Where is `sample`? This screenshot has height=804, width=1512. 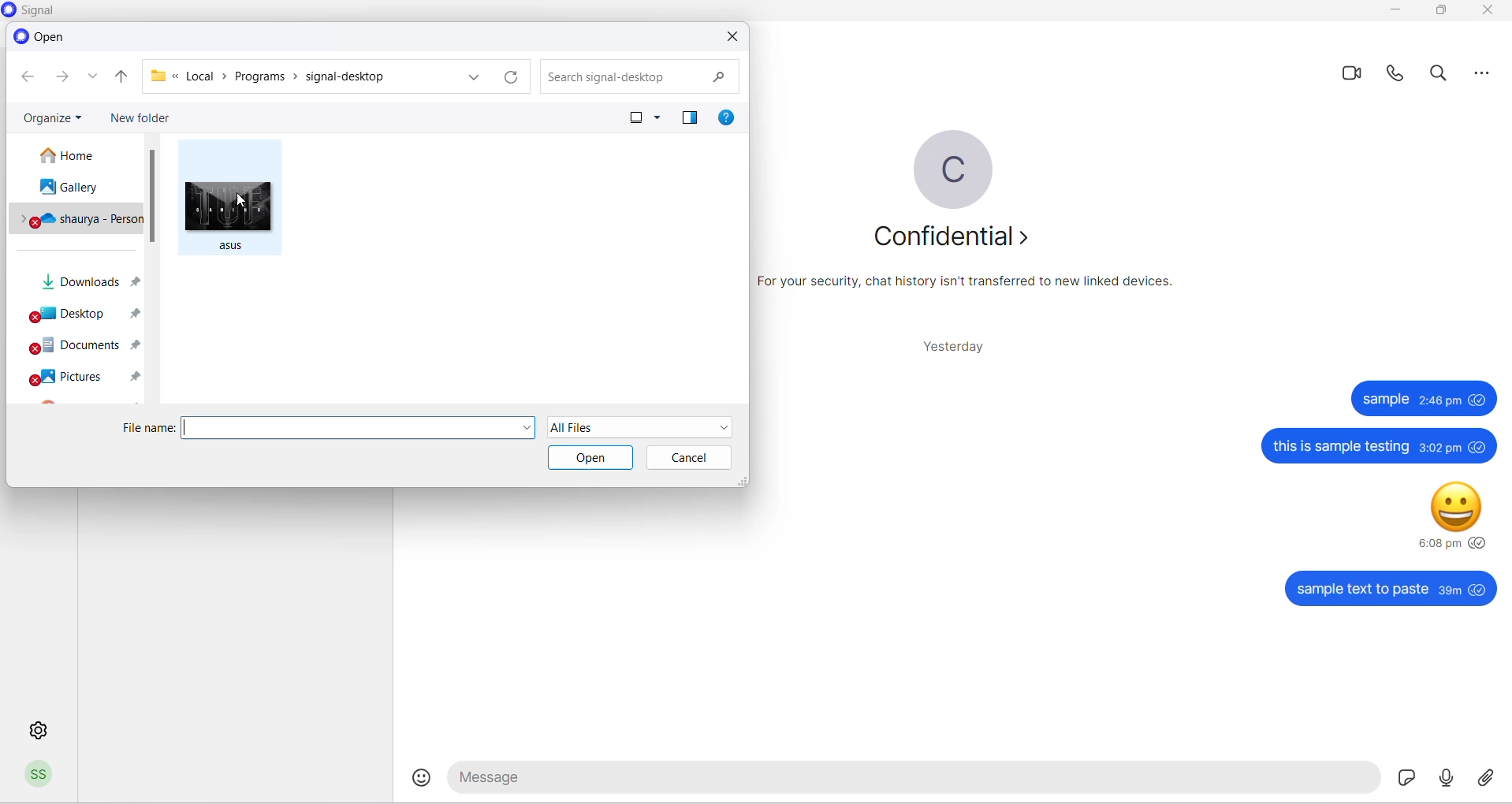
sample is located at coordinates (1386, 399).